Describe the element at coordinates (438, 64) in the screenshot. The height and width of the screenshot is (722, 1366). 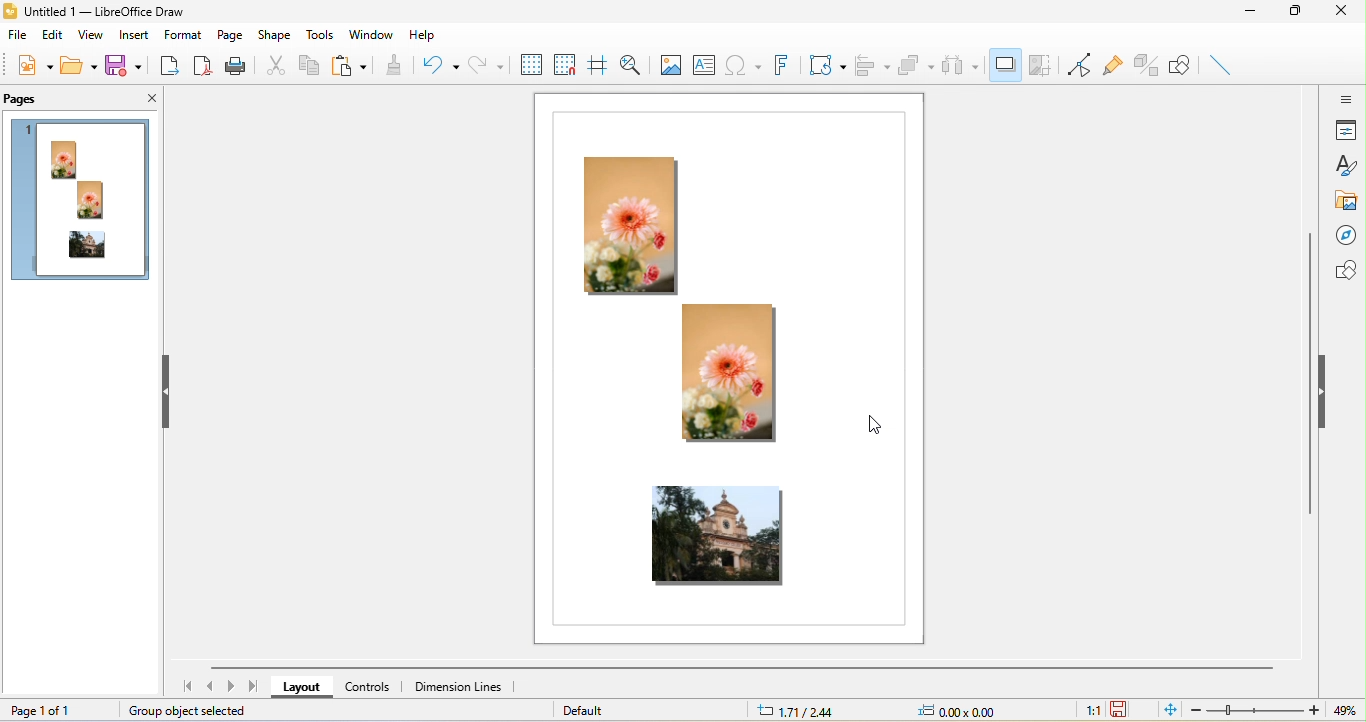
I see `undo` at that location.